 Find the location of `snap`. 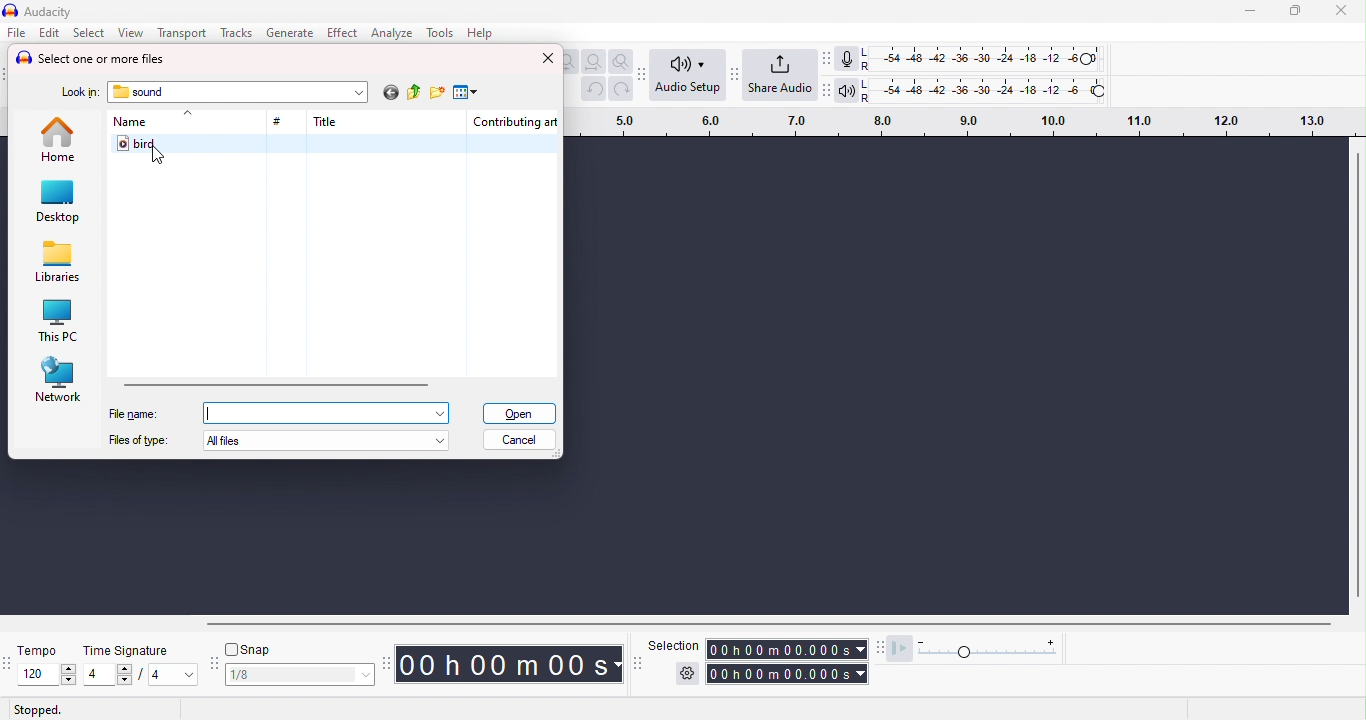

snap is located at coordinates (251, 651).